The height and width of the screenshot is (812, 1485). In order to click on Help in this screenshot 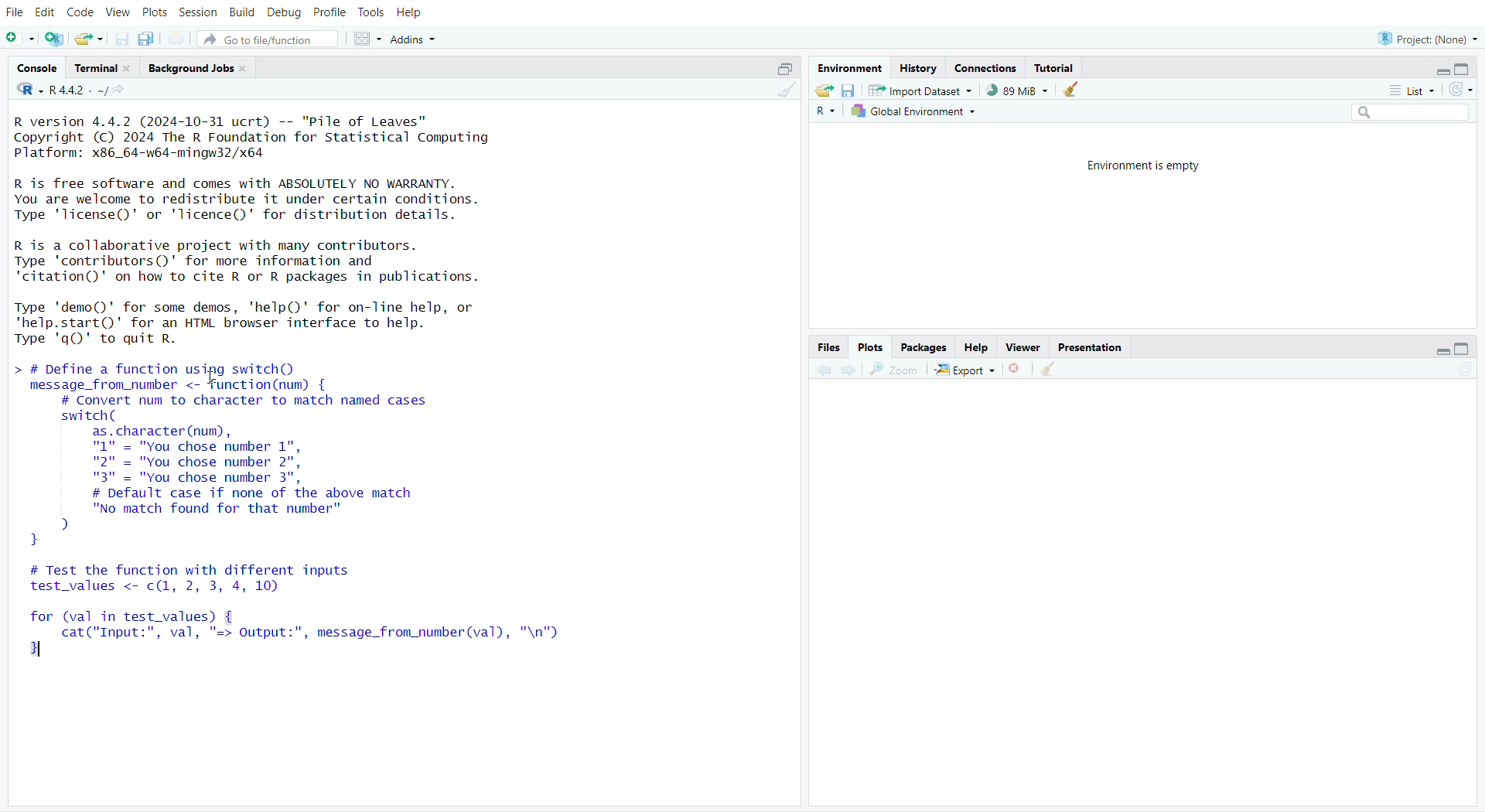, I will do `click(975, 346)`.